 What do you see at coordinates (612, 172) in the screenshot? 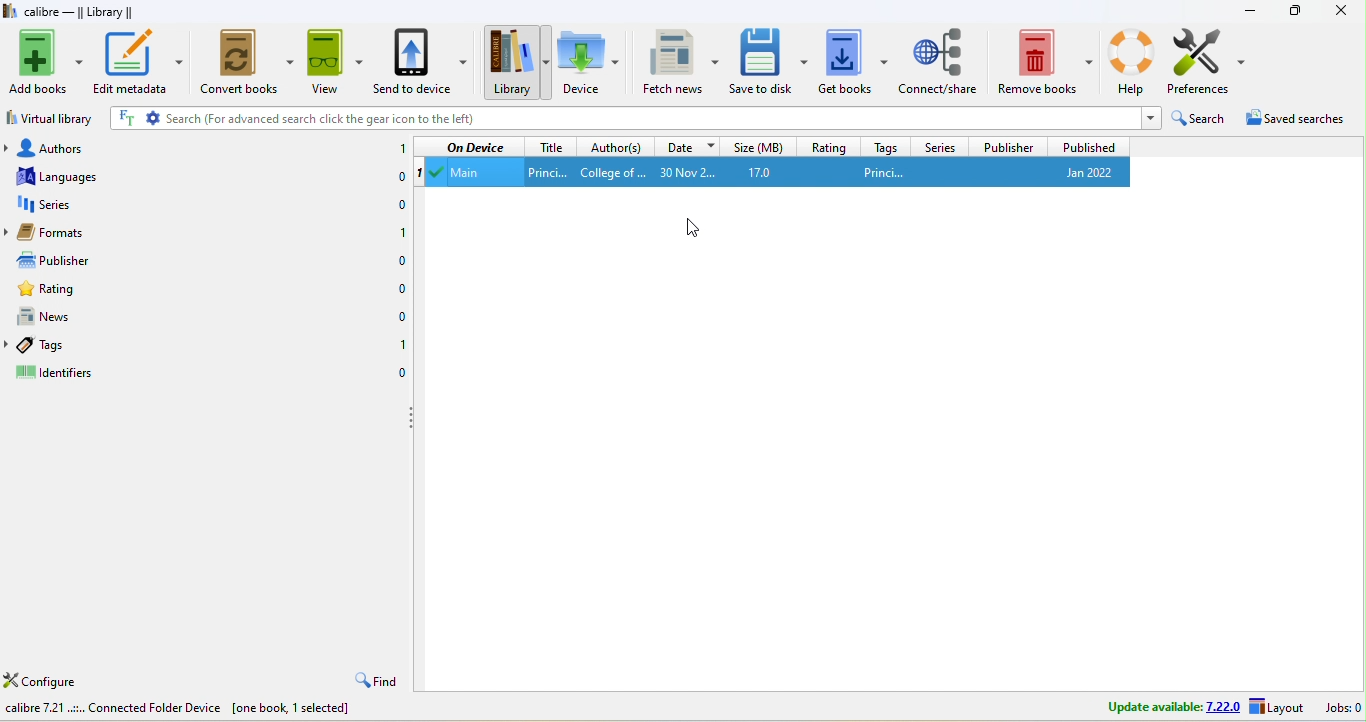
I see `Author` at bounding box center [612, 172].